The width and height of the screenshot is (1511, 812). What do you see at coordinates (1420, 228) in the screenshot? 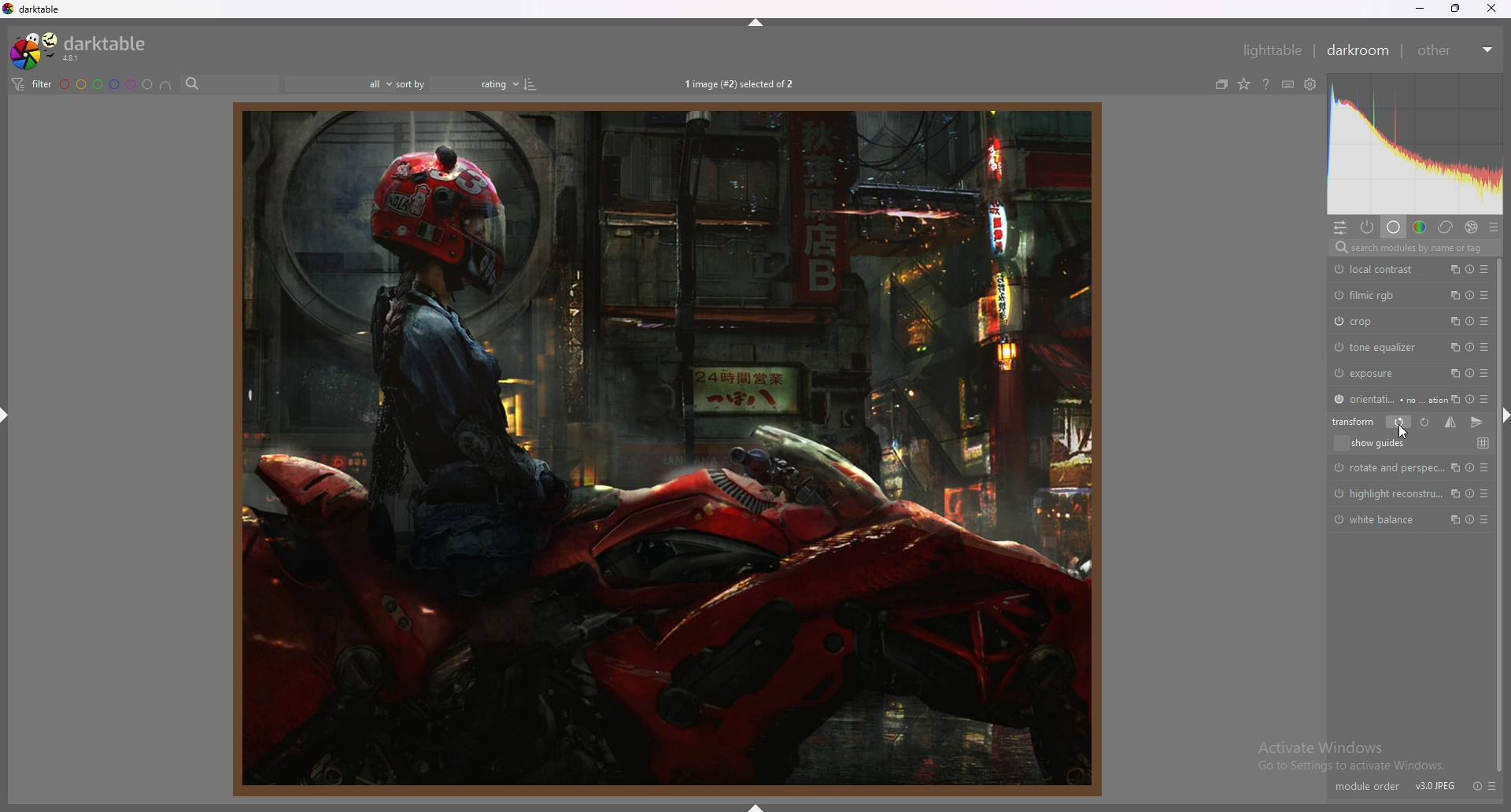
I see `color` at bounding box center [1420, 228].